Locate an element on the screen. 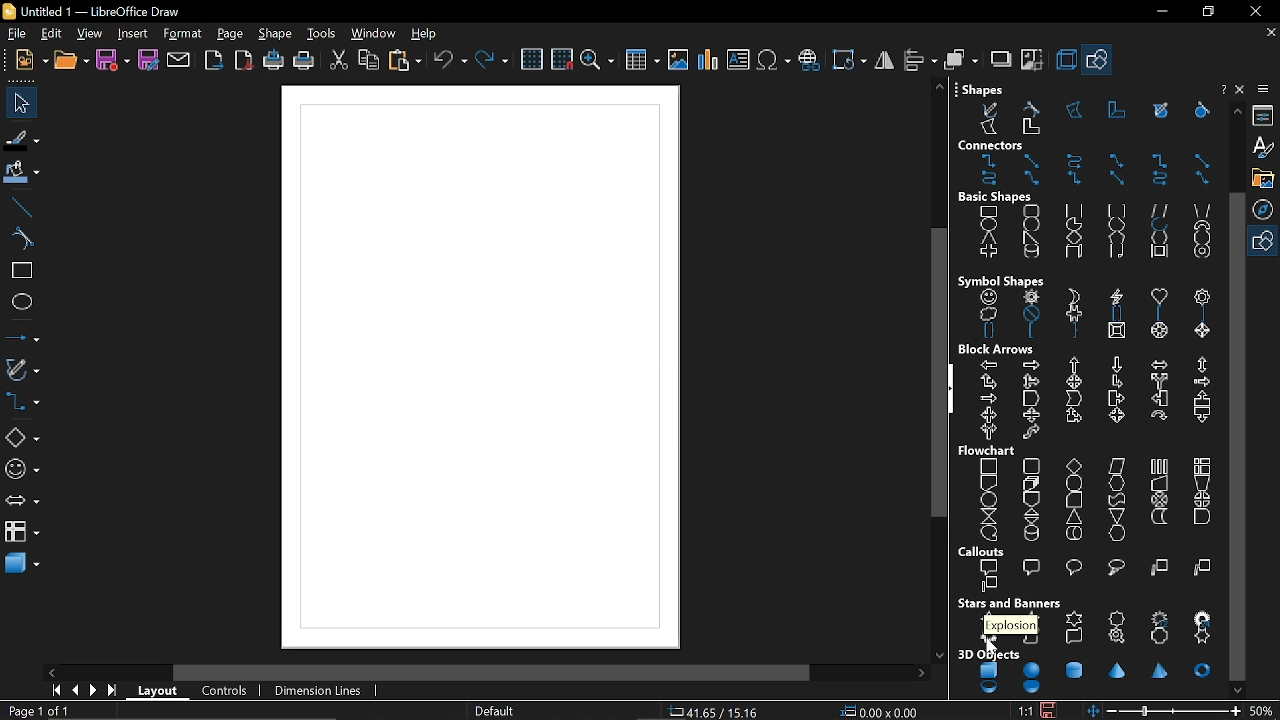  line is located at coordinates (21, 208).